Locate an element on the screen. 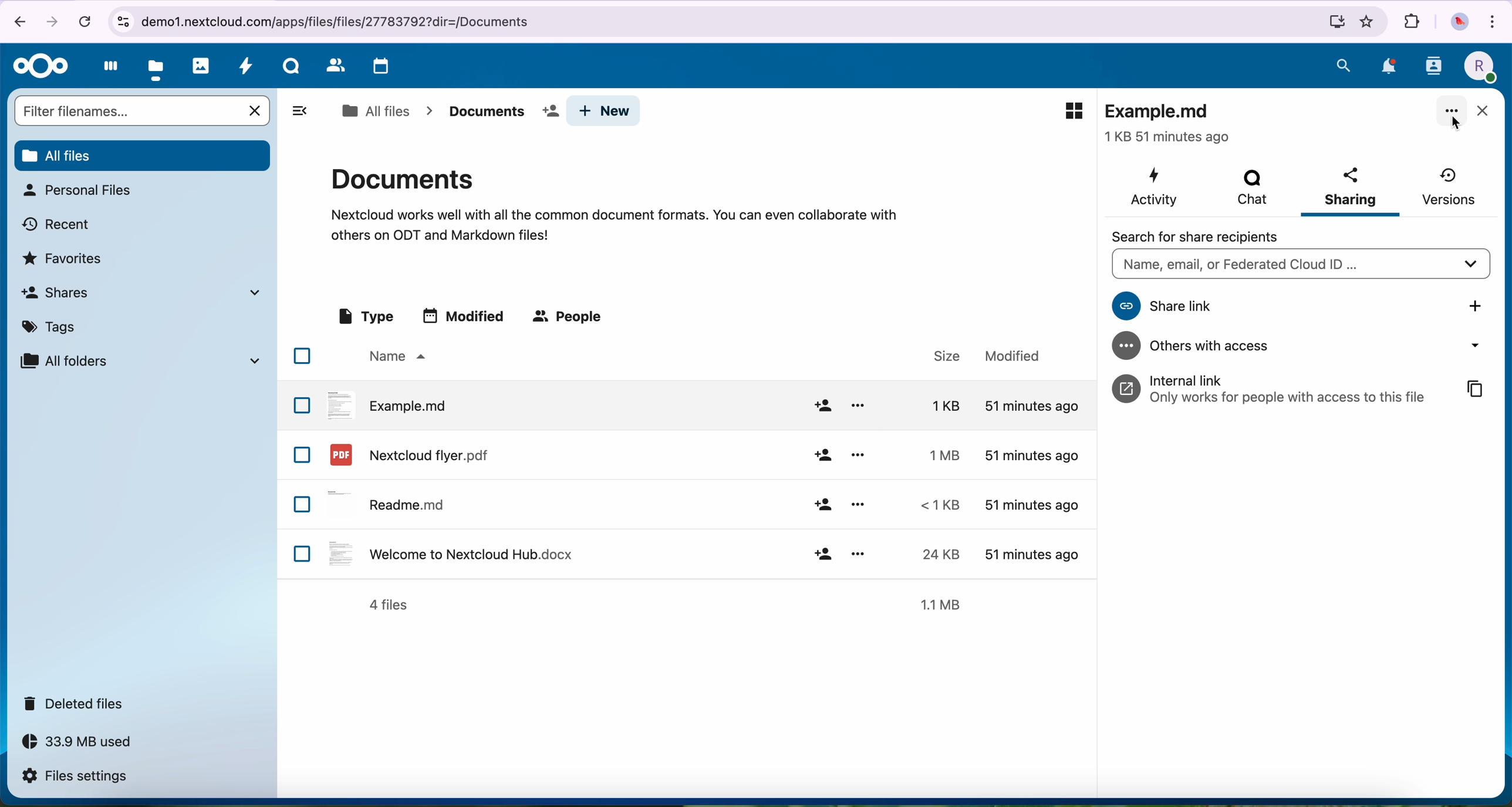 This screenshot has height=807, width=1512. navigate foward is located at coordinates (55, 20).